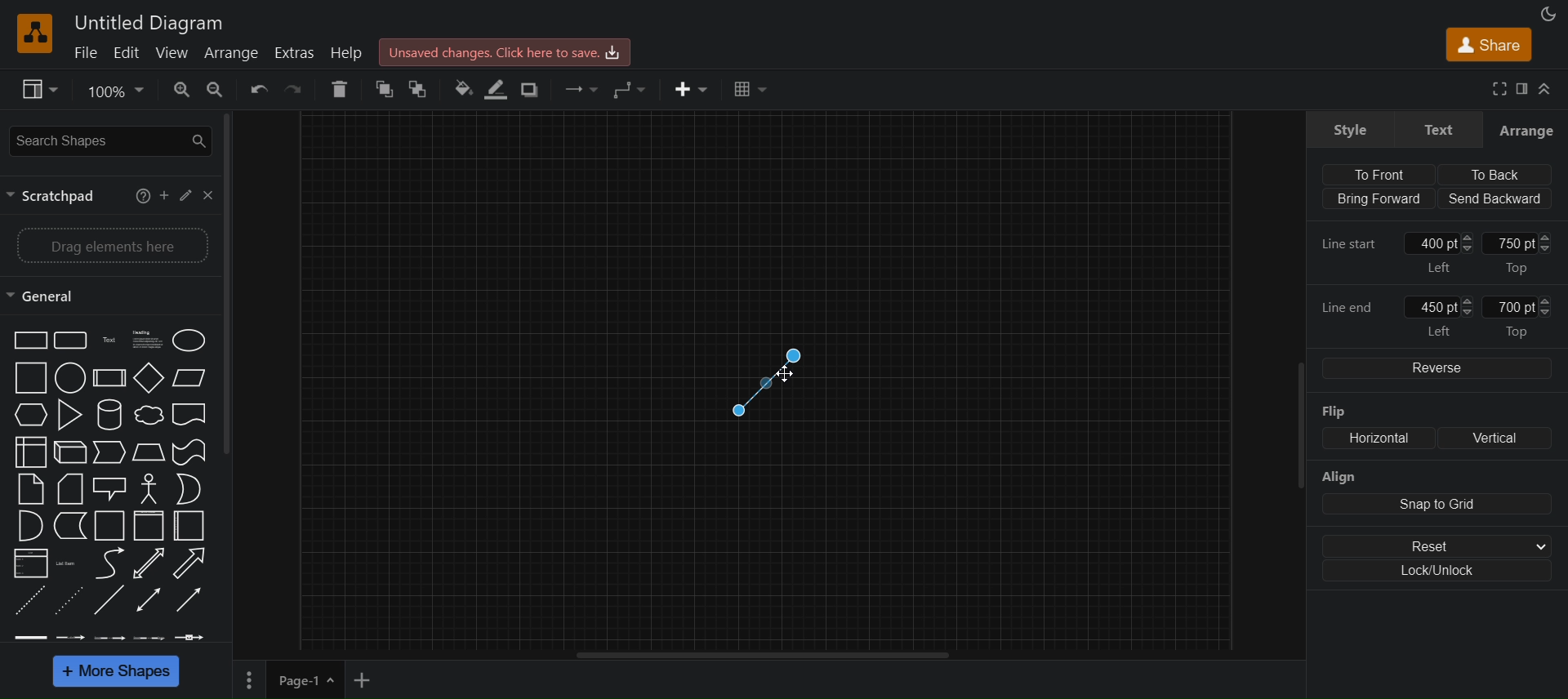 This screenshot has height=699, width=1568. Describe the element at coordinates (106, 525) in the screenshot. I see `Container` at that location.